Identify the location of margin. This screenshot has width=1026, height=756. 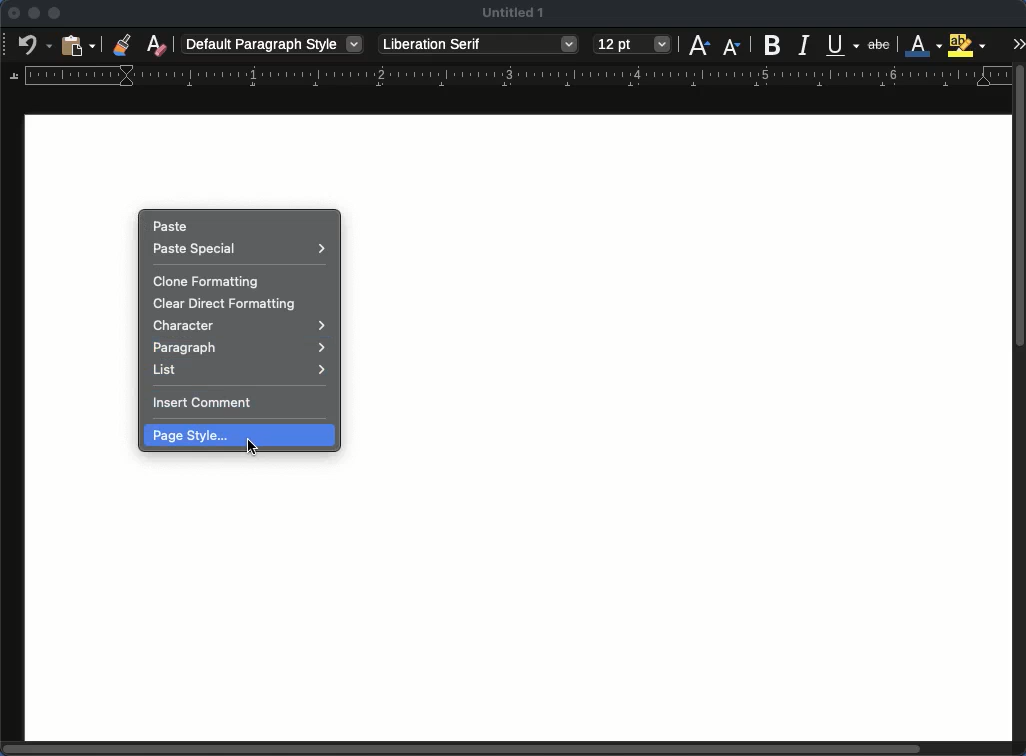
(510, 77).